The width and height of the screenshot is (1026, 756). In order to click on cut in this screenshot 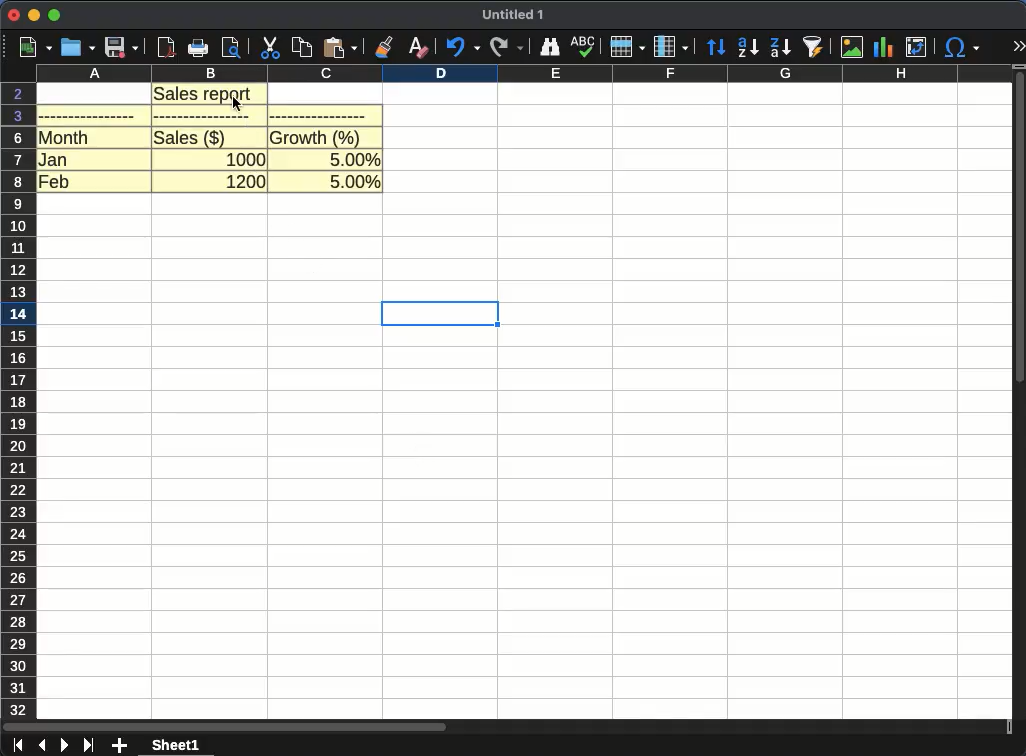, I will do `click(271, 48)`.